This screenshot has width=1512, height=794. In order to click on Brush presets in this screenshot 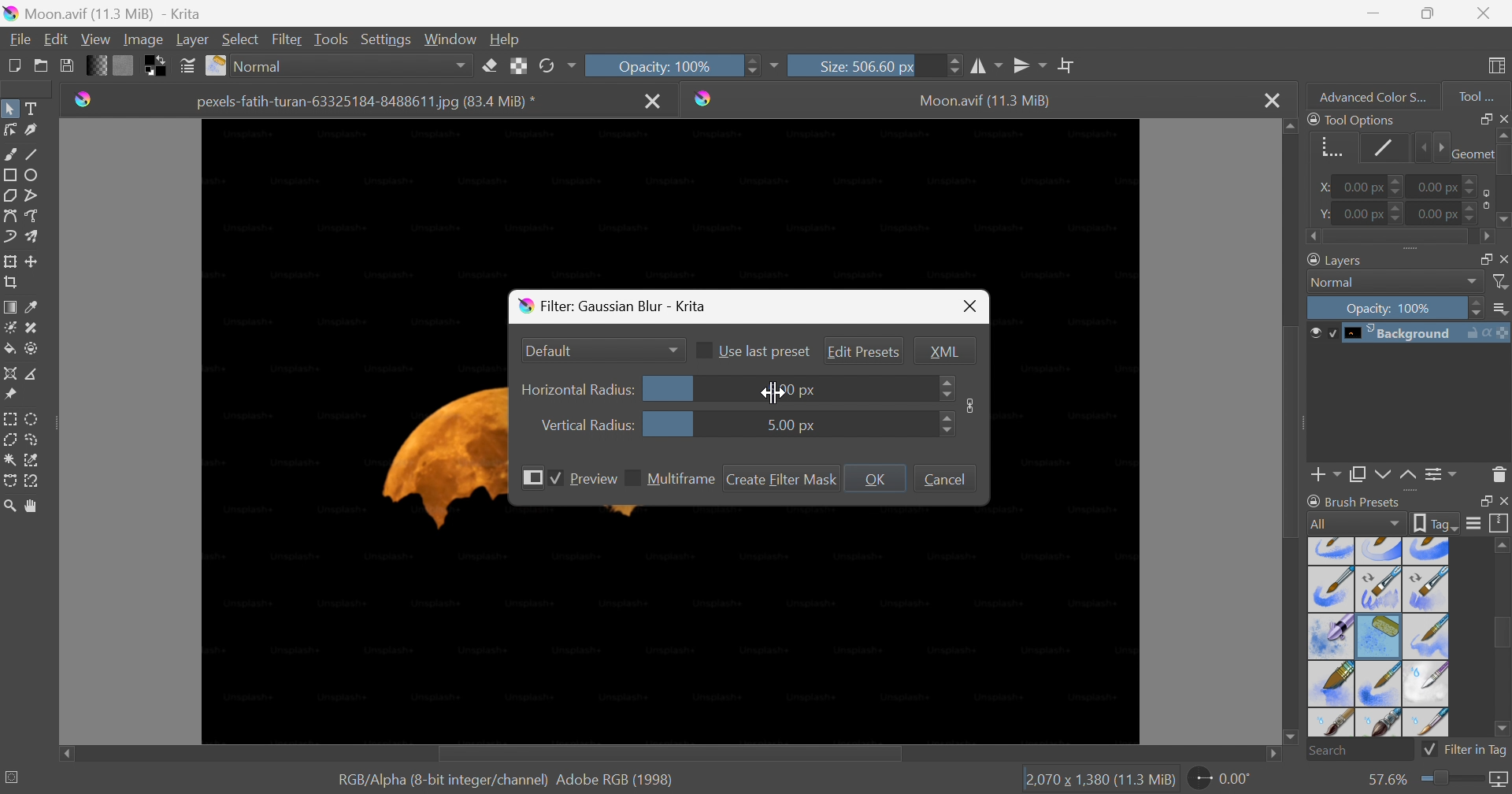, I will do `click(1357, 503)`.